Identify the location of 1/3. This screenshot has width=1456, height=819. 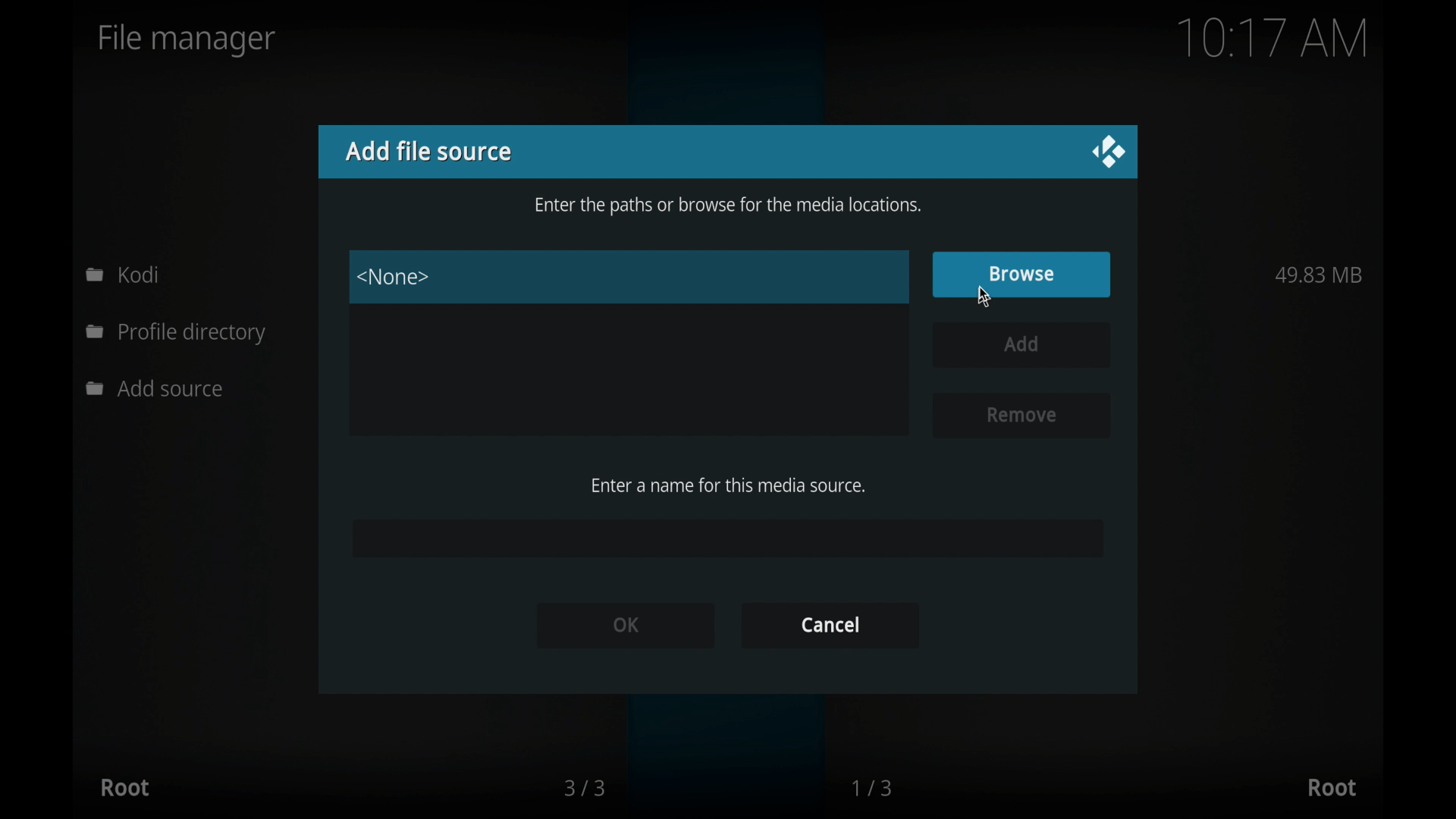
(874, 788).